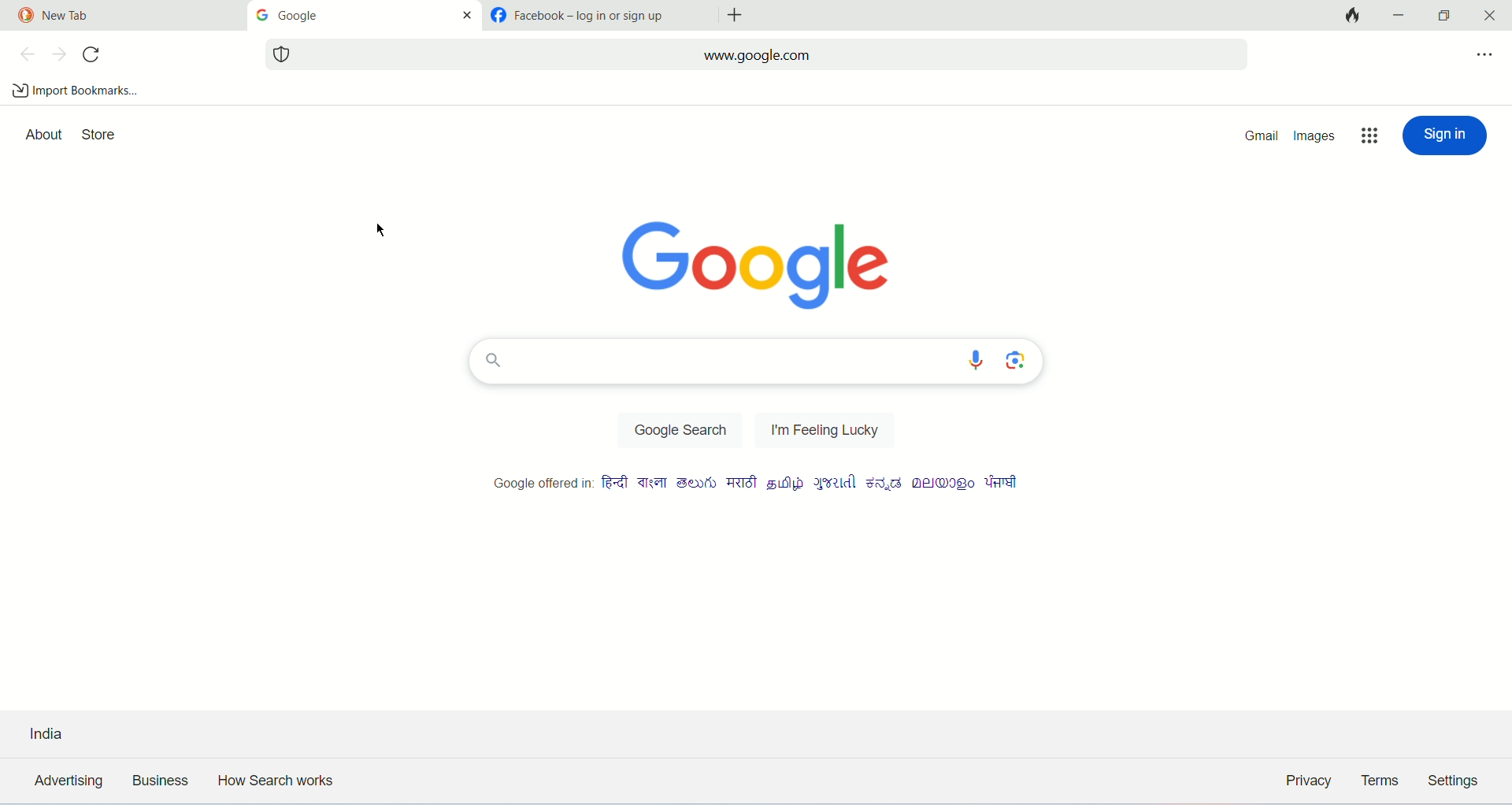 The image size is (1512, 805). What do you see at coordinates (387, 231) in the screenshot?
I see `cursor` at bounding box center [387, 231].